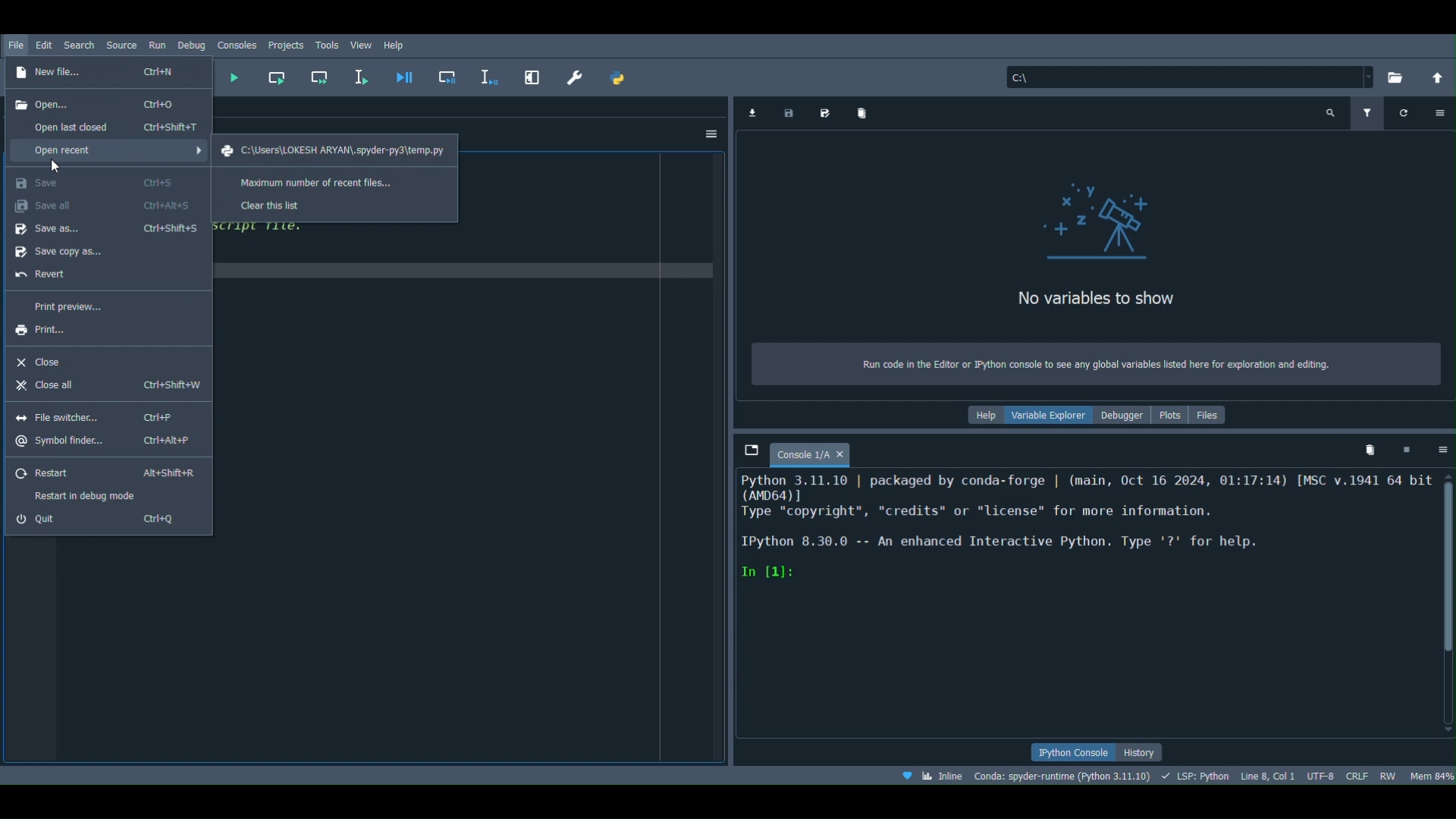 This screenshot has width=1456, height=819. Describe the element at coordinates (362, 74) in the screenshot. I see `Run selection or current line (F9)` at that location.